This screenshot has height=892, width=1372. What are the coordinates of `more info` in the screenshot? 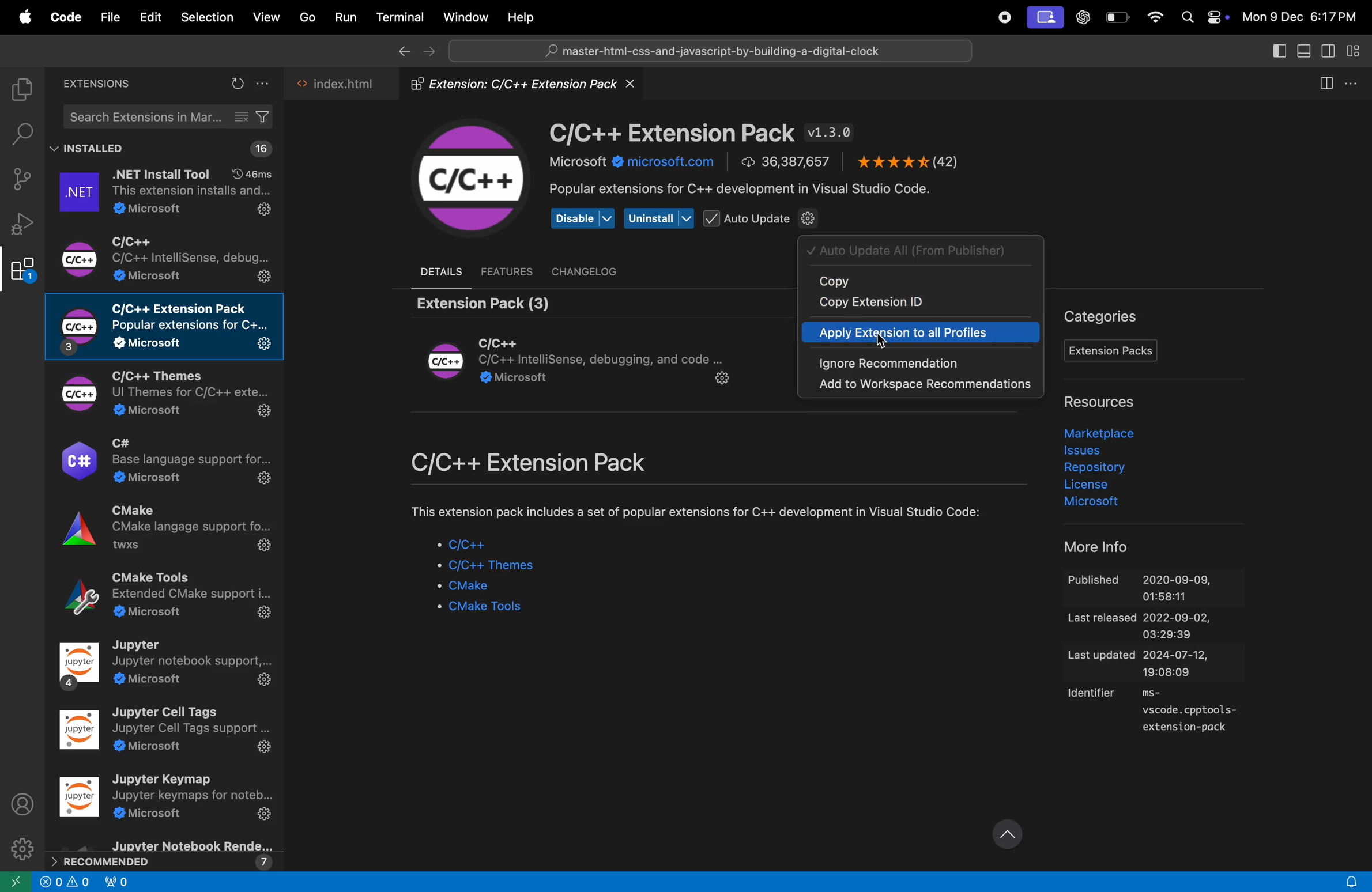 It's located at (1106, 547).